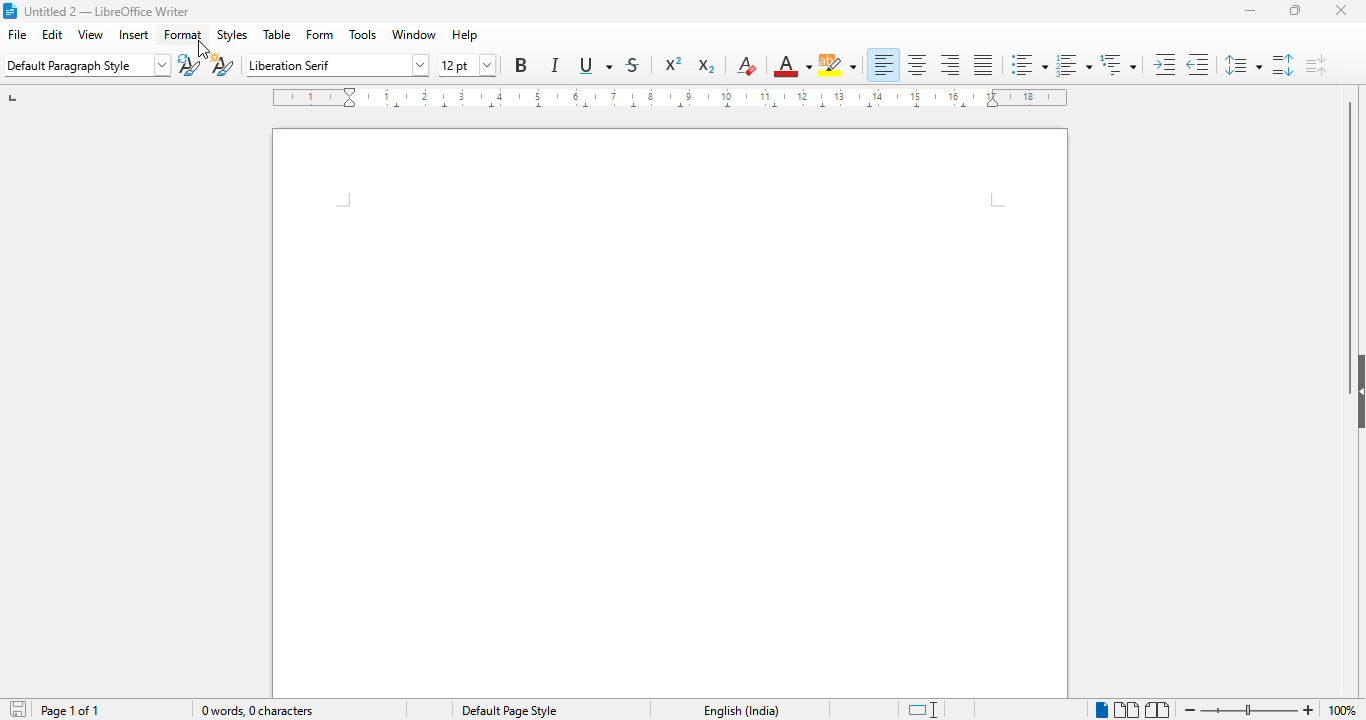 The height and width of the screenshot is (720, 1366). What do you see at coordinates (10, 11) in the screenshot?
I see `logo` at bounding box center [10, 11].